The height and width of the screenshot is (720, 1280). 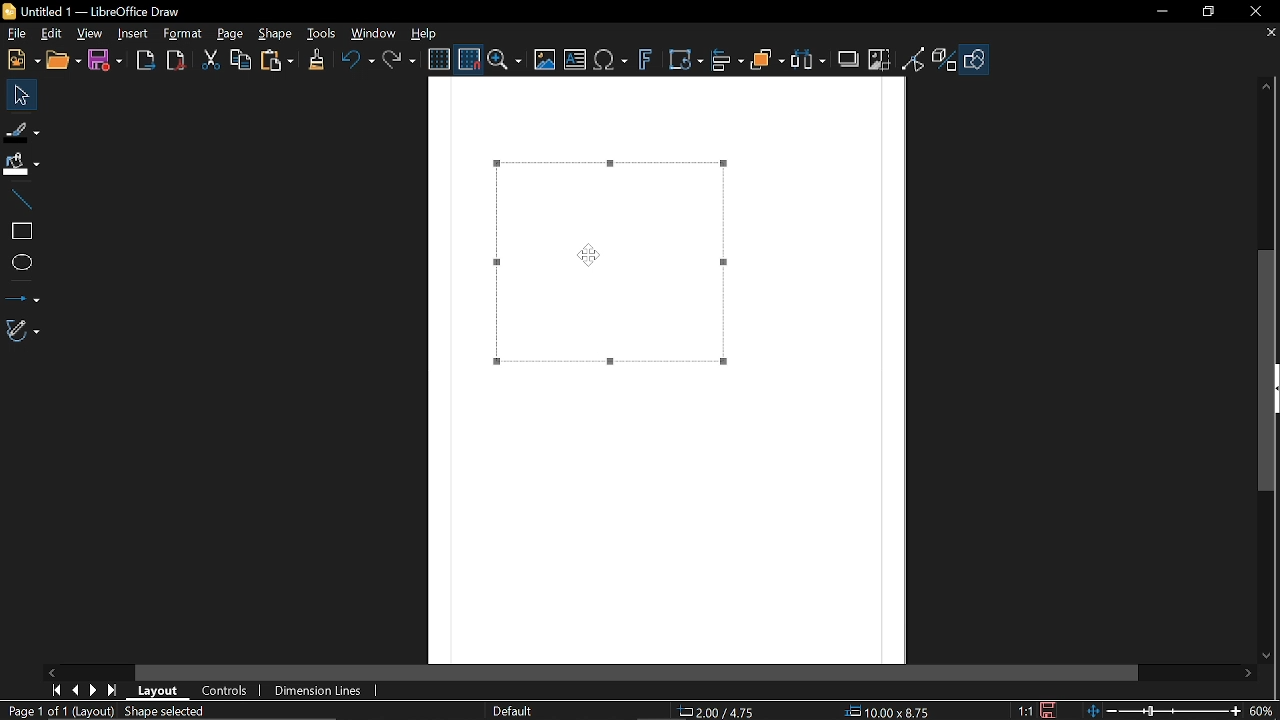 I want to click on Current zoom, so click(x=1263, y=710).